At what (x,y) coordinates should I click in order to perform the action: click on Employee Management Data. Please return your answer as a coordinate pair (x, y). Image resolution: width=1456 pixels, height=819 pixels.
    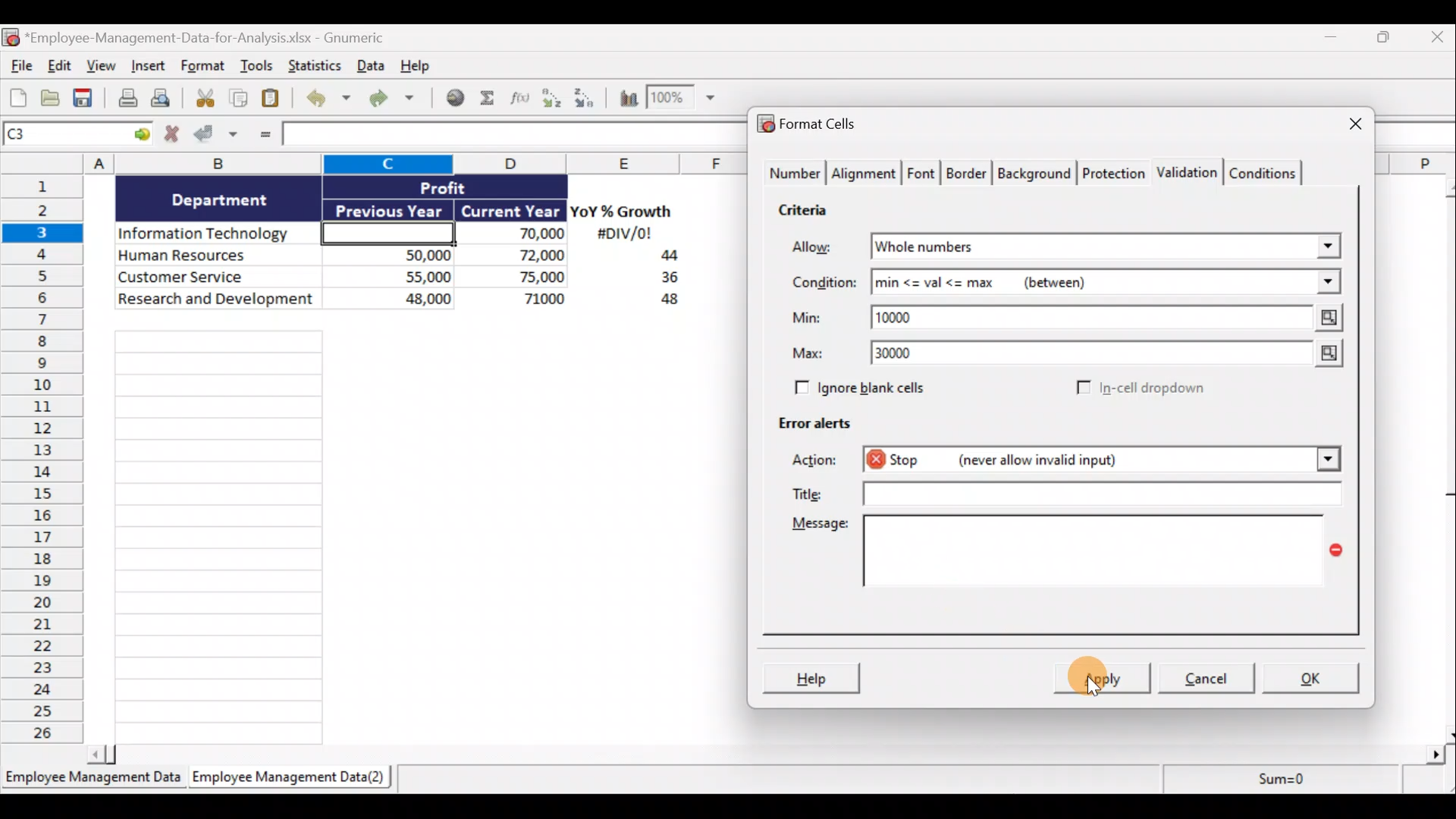
    Looking at the image, I should click on (92, 780).